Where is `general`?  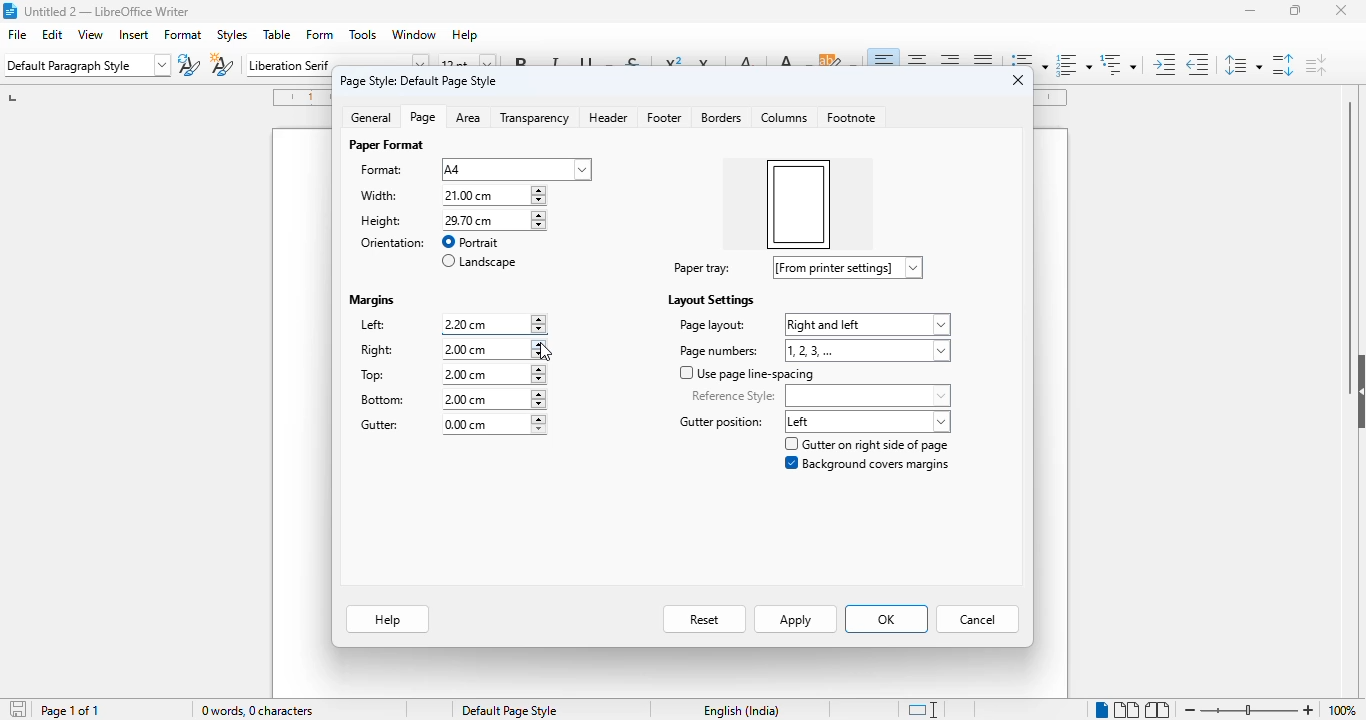
general is located at coordinates (372, 117).